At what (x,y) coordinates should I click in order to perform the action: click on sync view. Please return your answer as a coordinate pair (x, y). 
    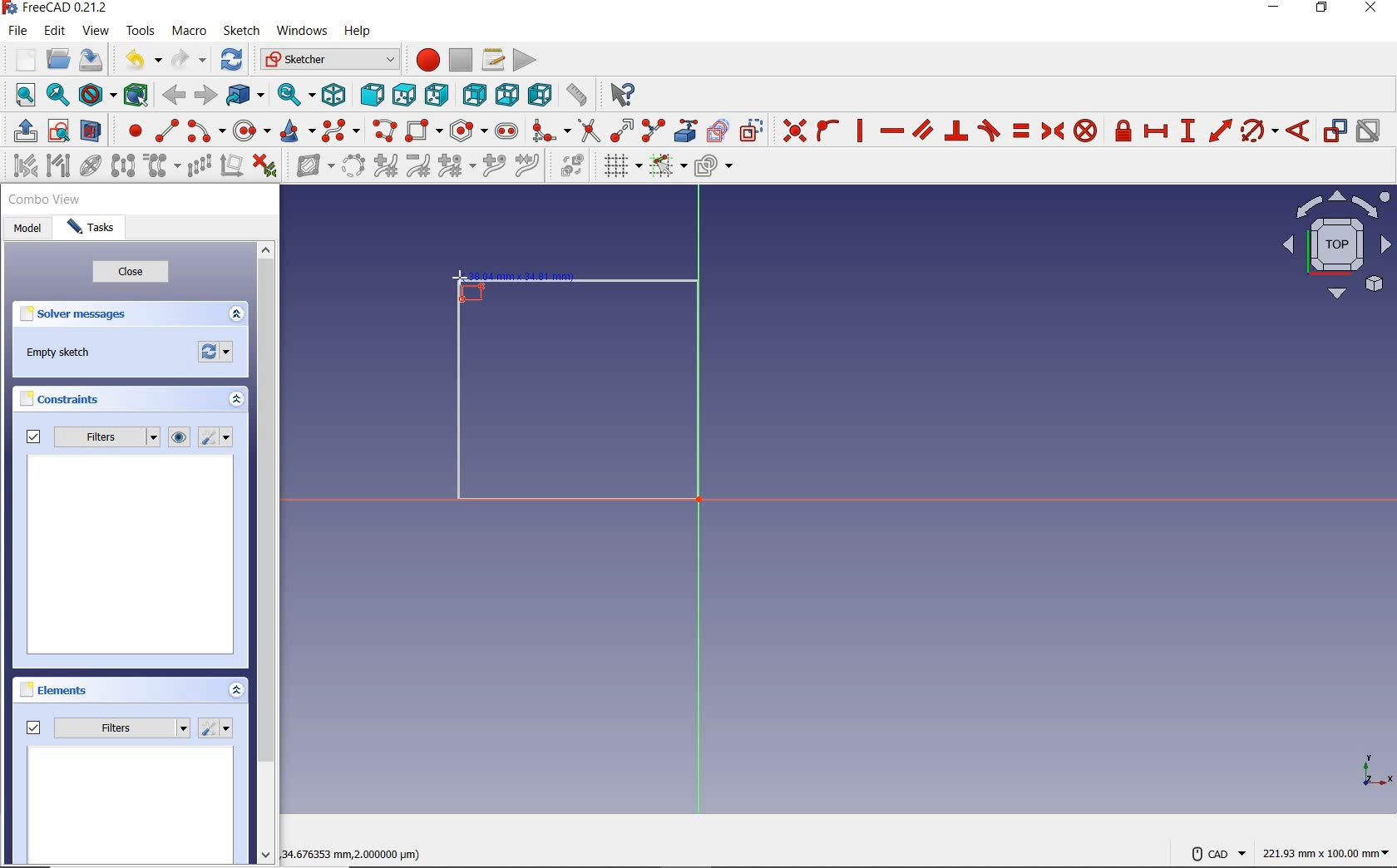
    Looking at the image, I should click on (292, 96).